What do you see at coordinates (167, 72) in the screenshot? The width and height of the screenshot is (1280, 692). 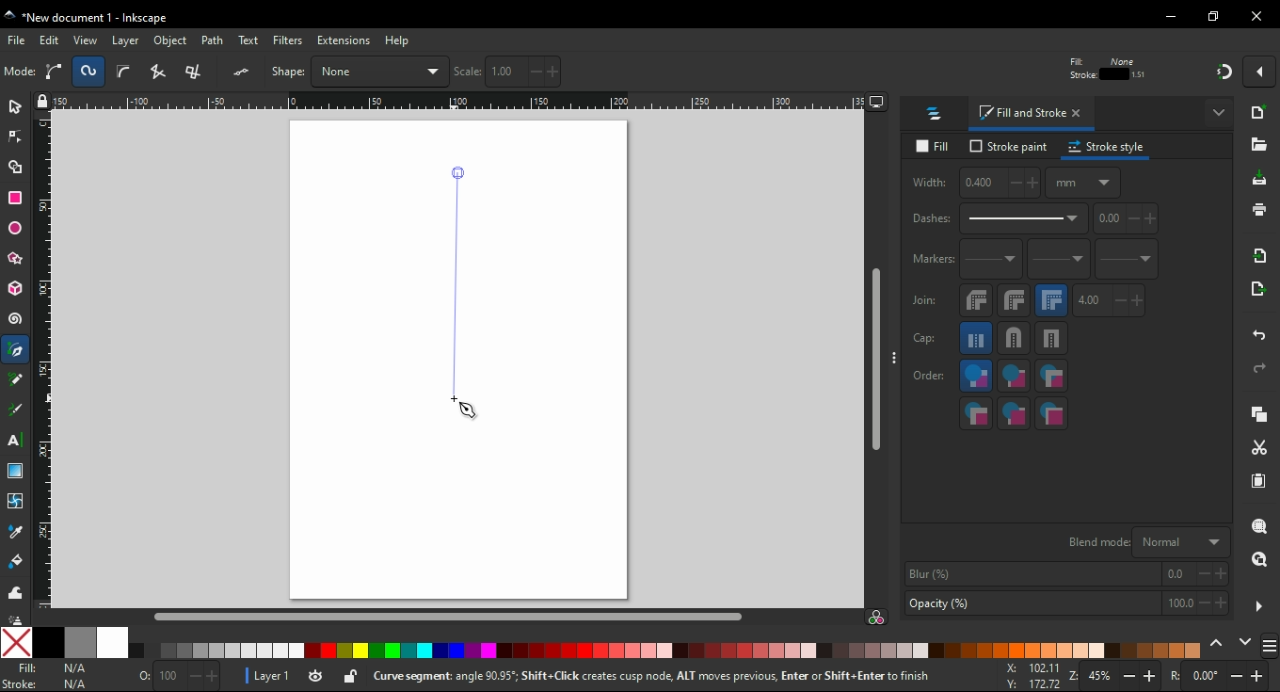 I see `object rotate 90 CCW` at bounding box center [167, 72].